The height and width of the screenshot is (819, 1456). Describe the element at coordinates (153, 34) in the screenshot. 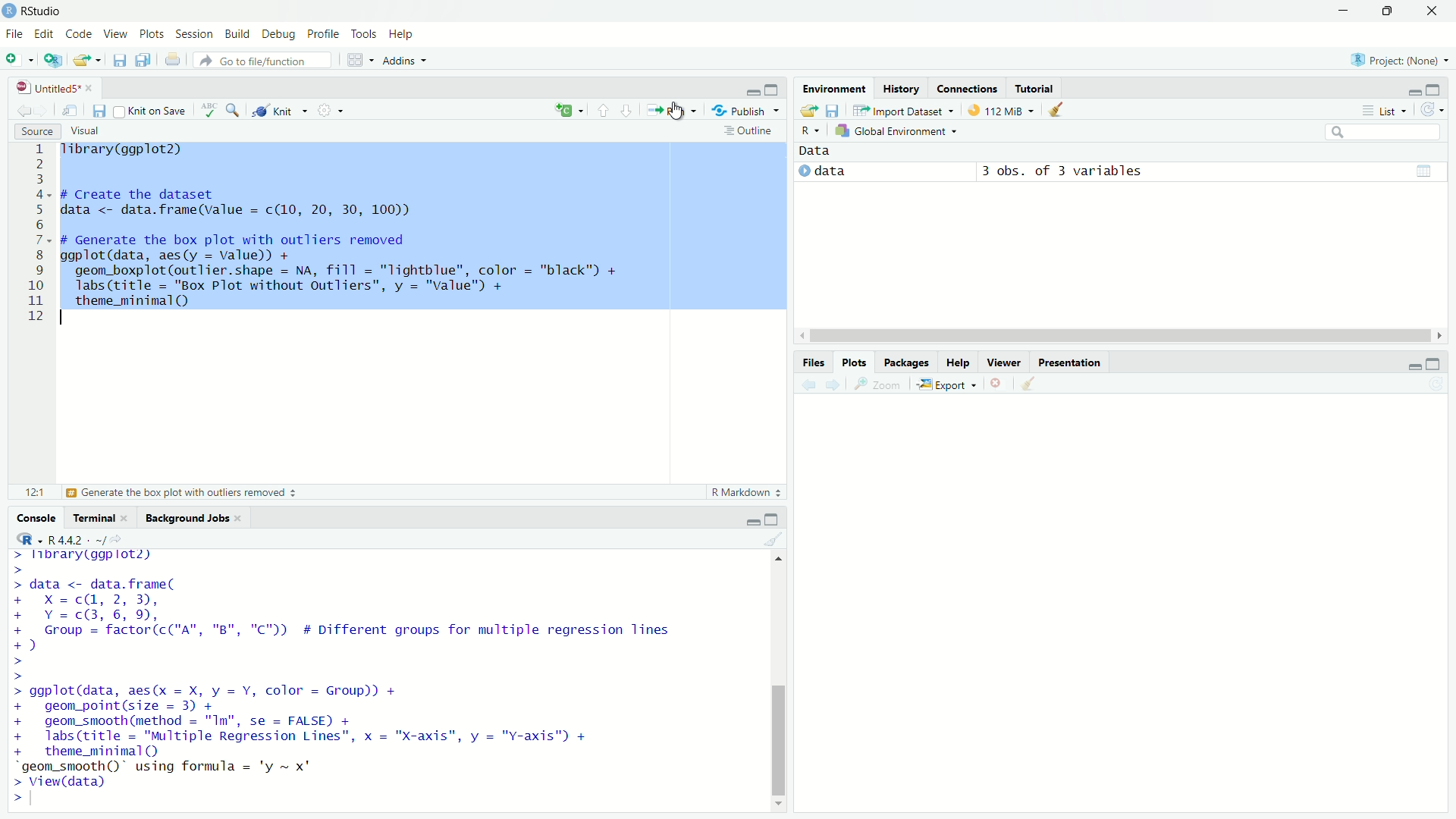

I see `Plots` at that location.